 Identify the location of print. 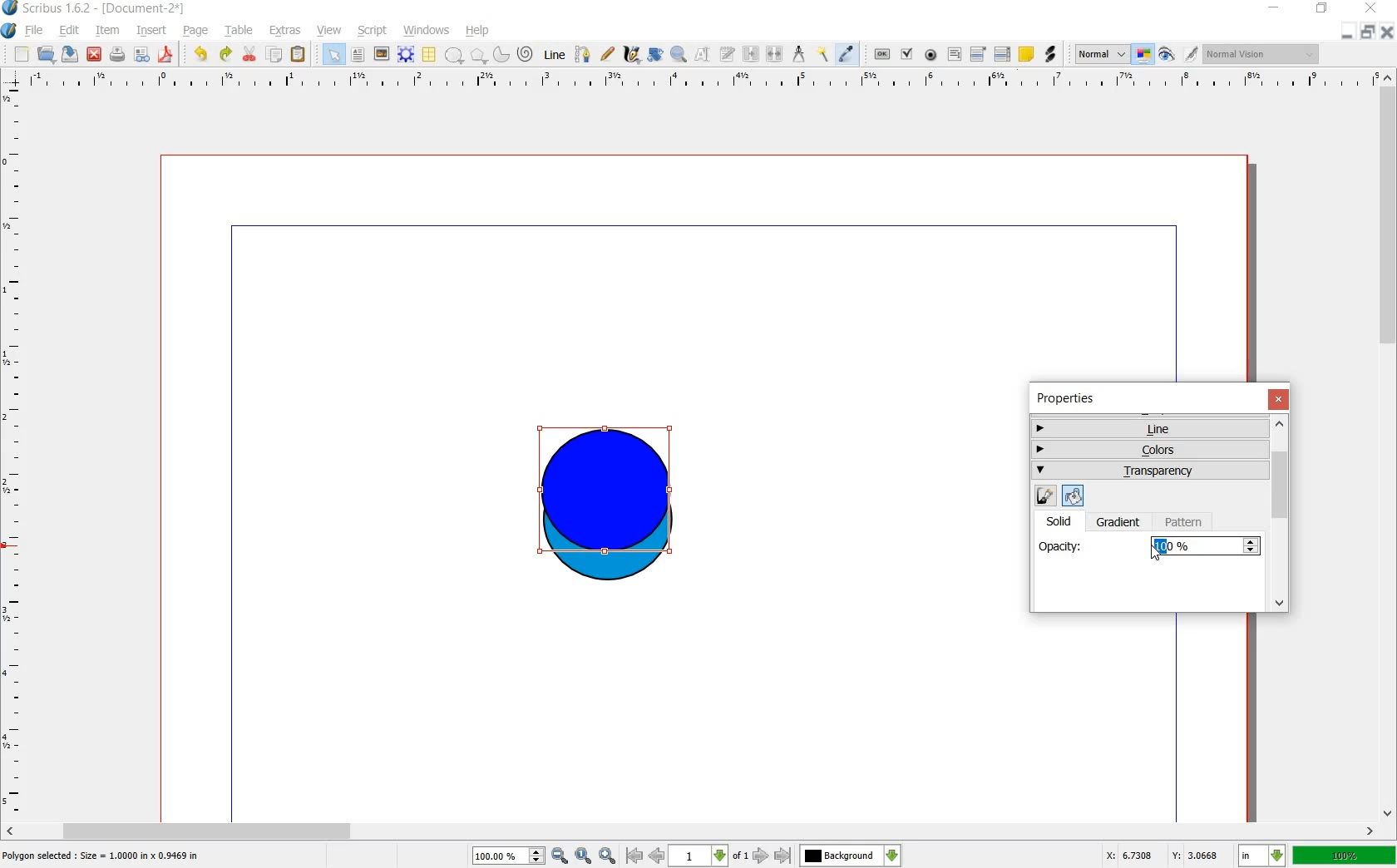
(118, 55).